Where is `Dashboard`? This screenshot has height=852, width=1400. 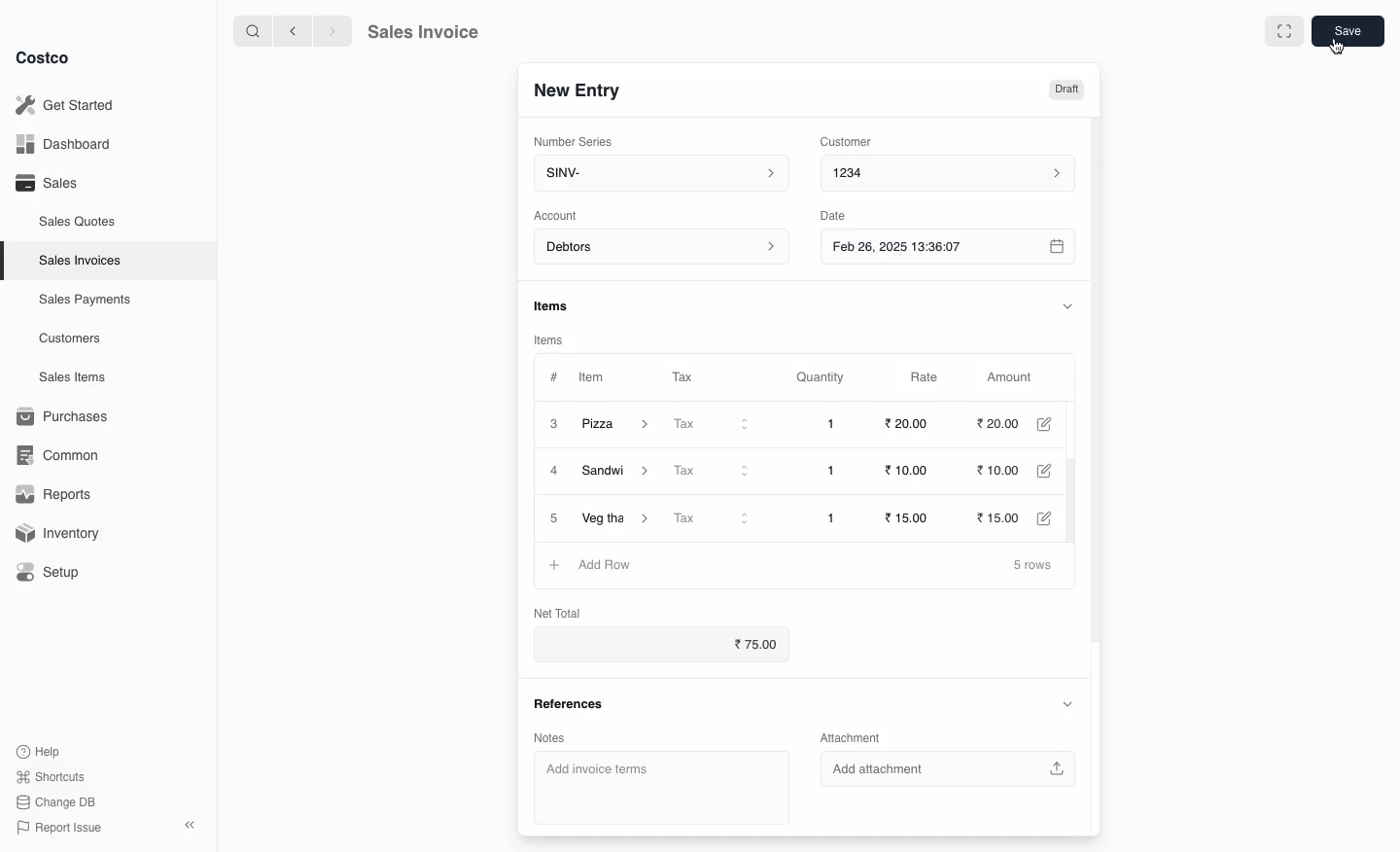
Dashboard is located at coordinates (60, 145).